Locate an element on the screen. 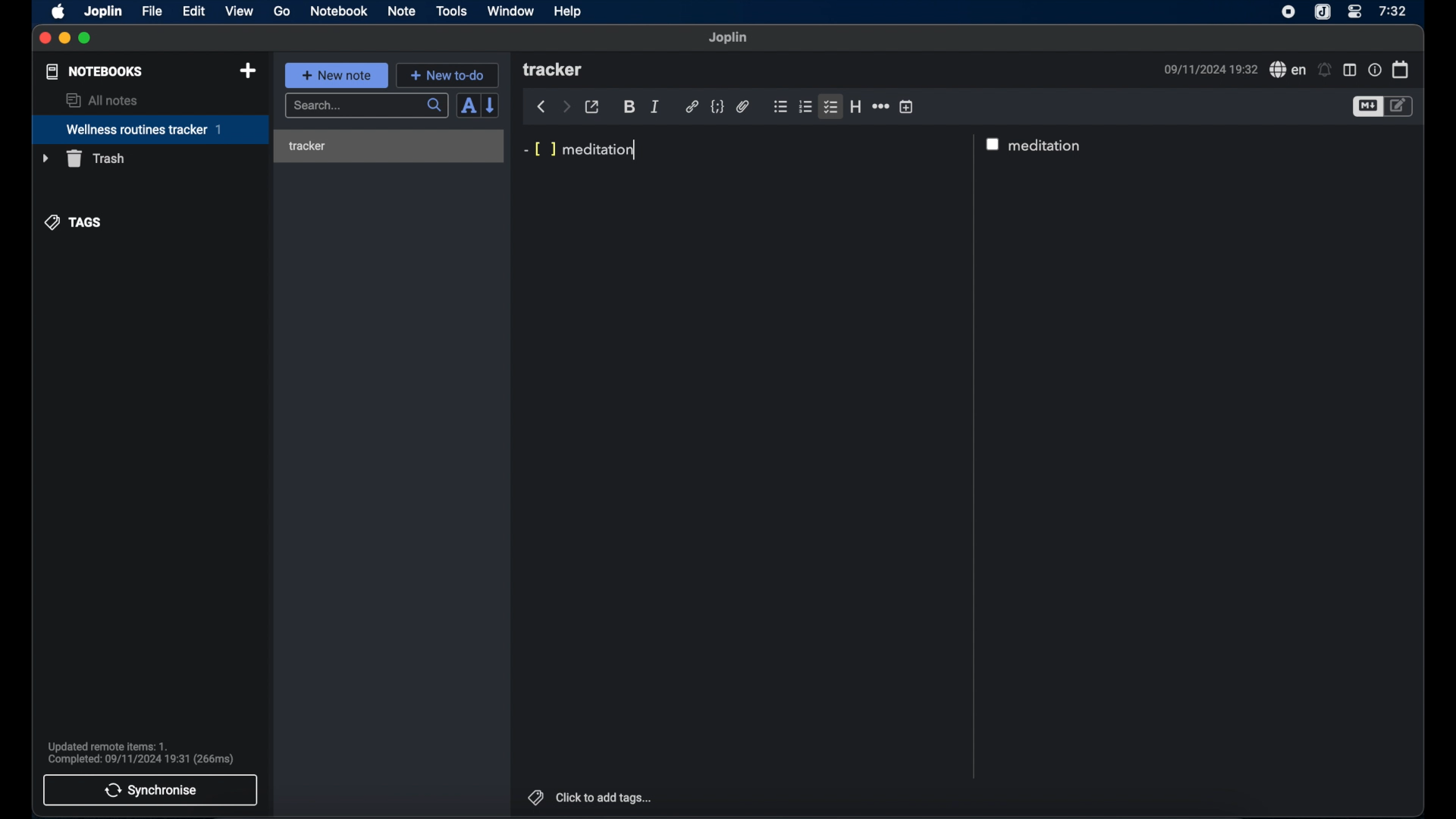  synchronise is located at coordinates (151, 790).